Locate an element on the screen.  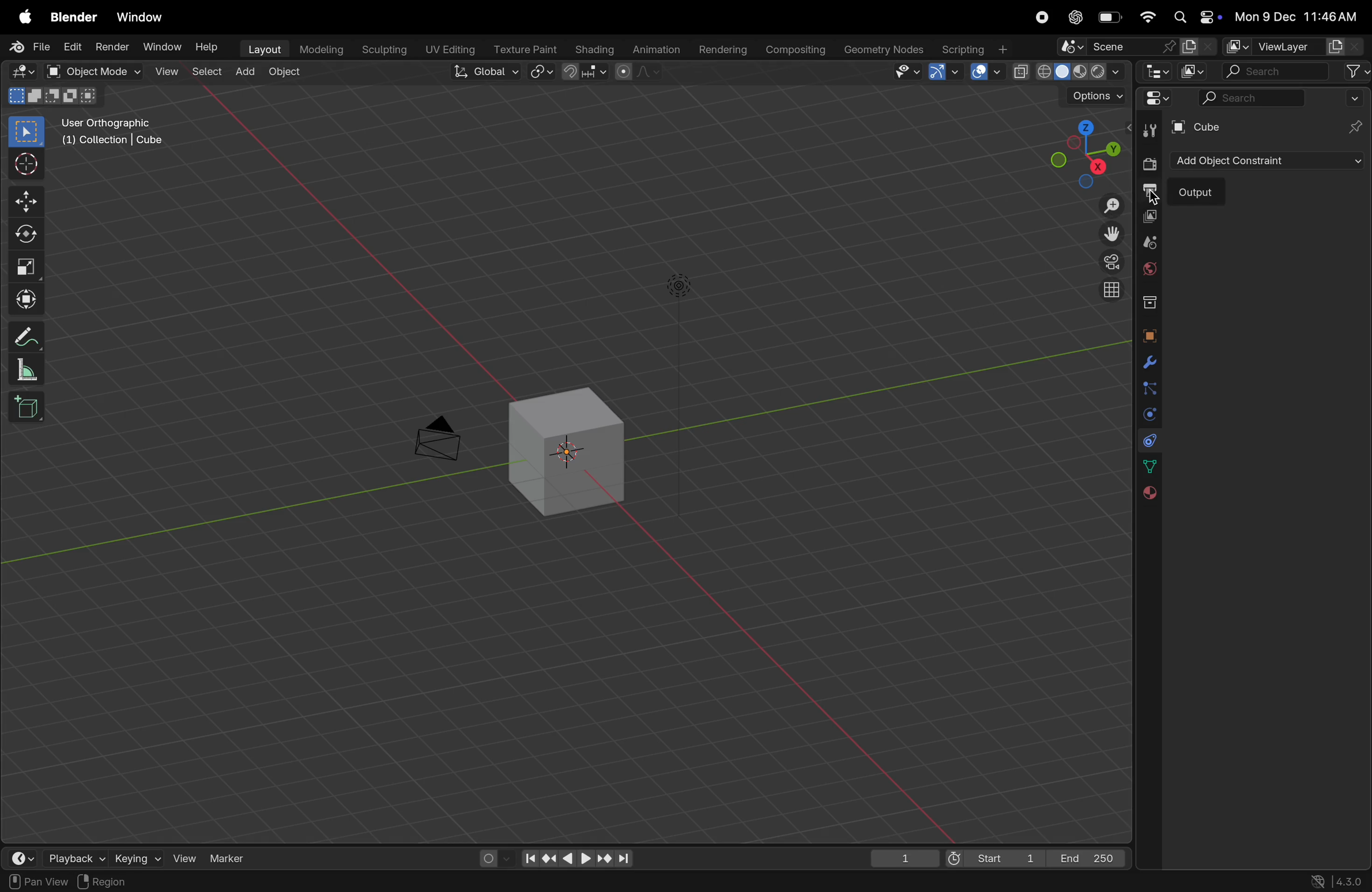
view layer is located at coordinates (1151, 216).